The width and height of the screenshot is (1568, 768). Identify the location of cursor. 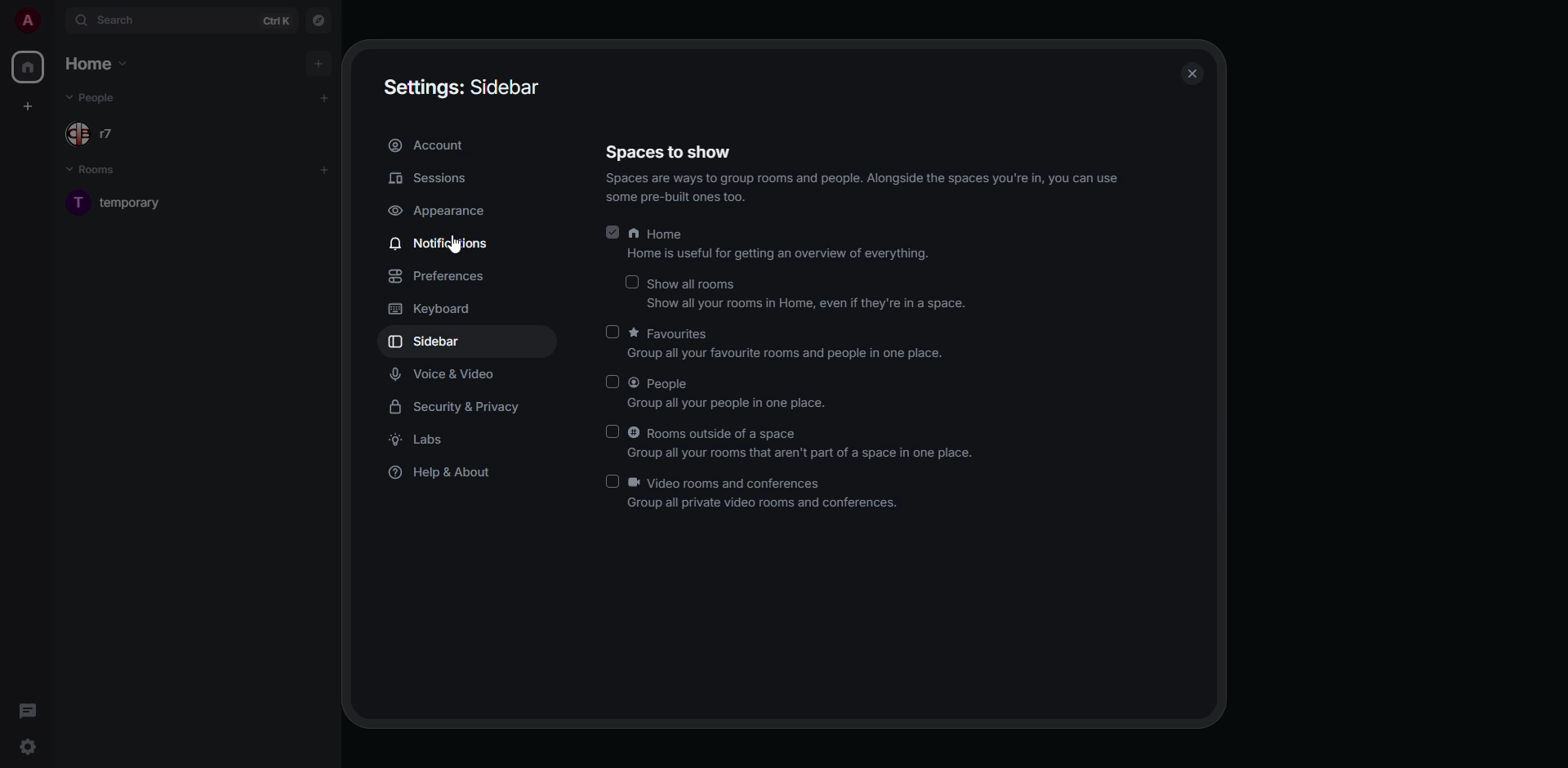
(456, 243).